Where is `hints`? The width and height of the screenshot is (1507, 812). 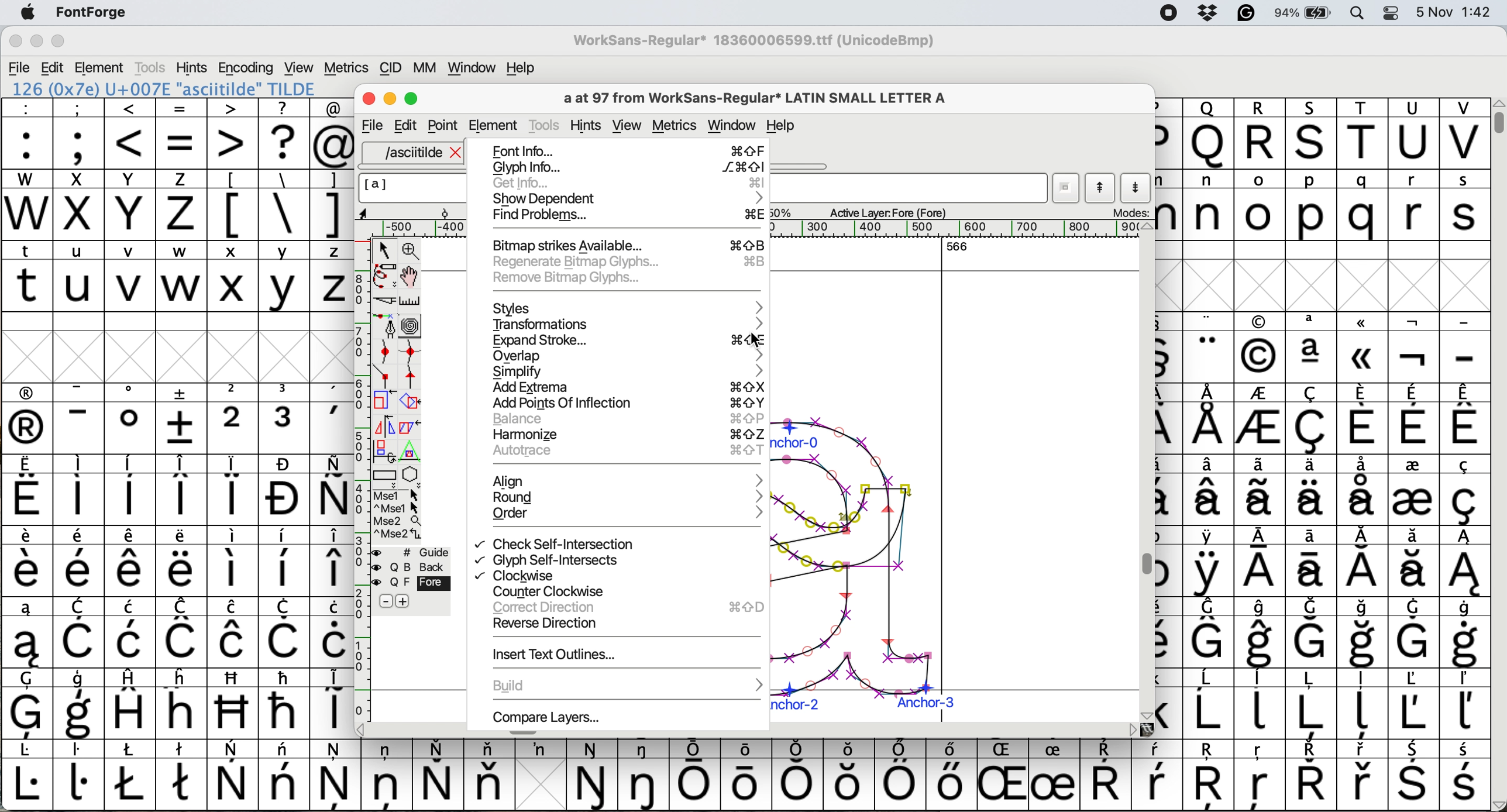 hints is located at coordinates (588, 126).